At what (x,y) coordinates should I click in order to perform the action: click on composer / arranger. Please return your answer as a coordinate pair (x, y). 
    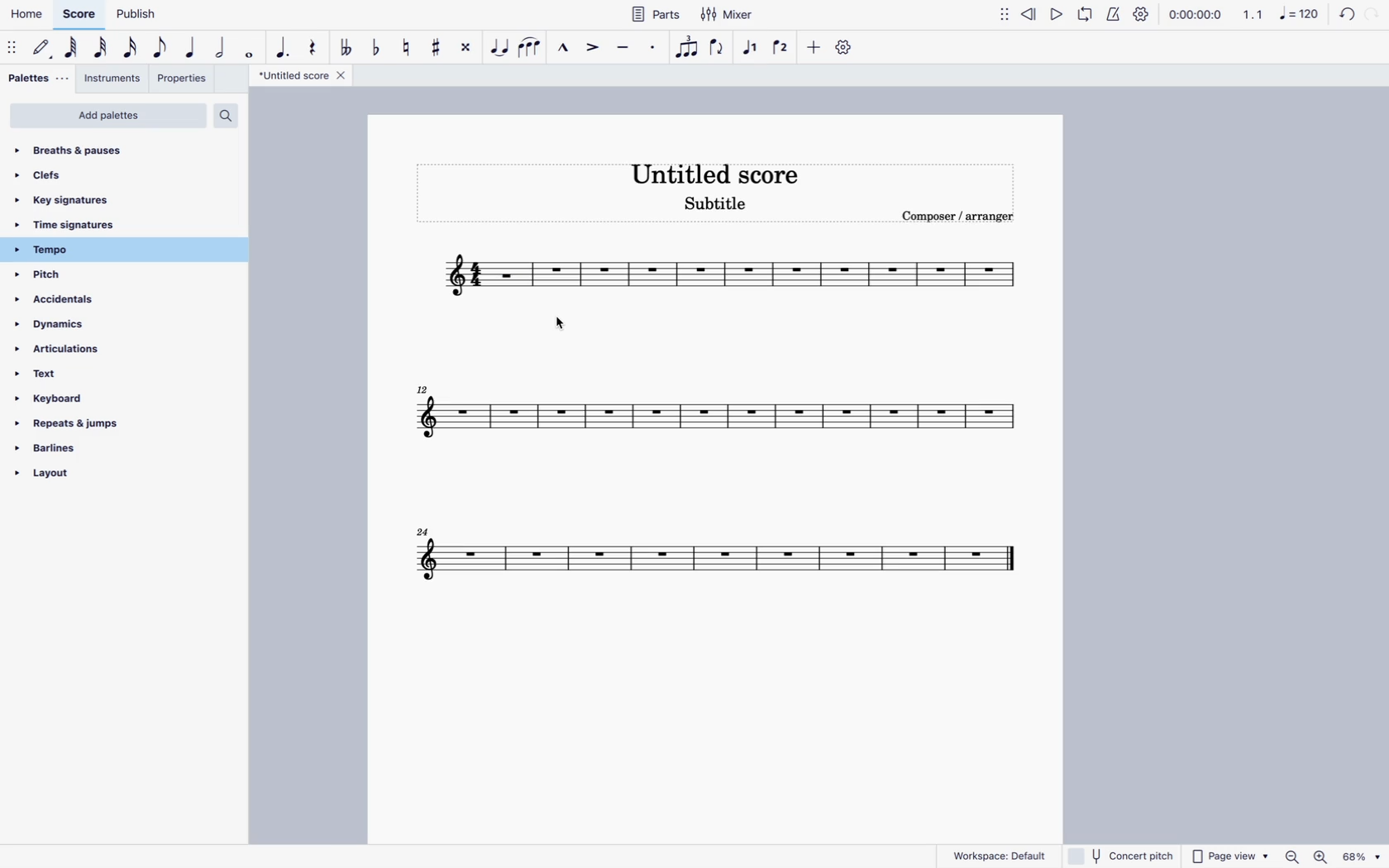
    Looking at the image, I should click on (956, 218).